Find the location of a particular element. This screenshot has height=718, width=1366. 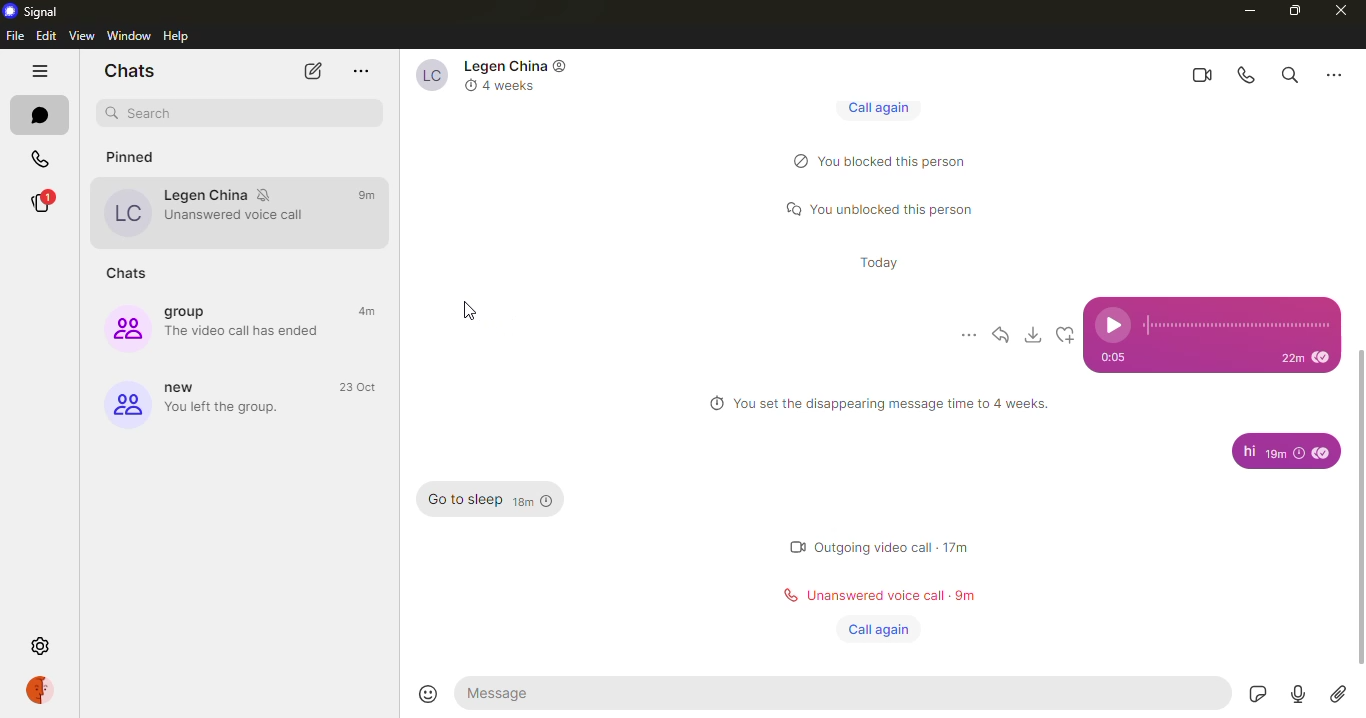

time is located at coordinates (358, 384).